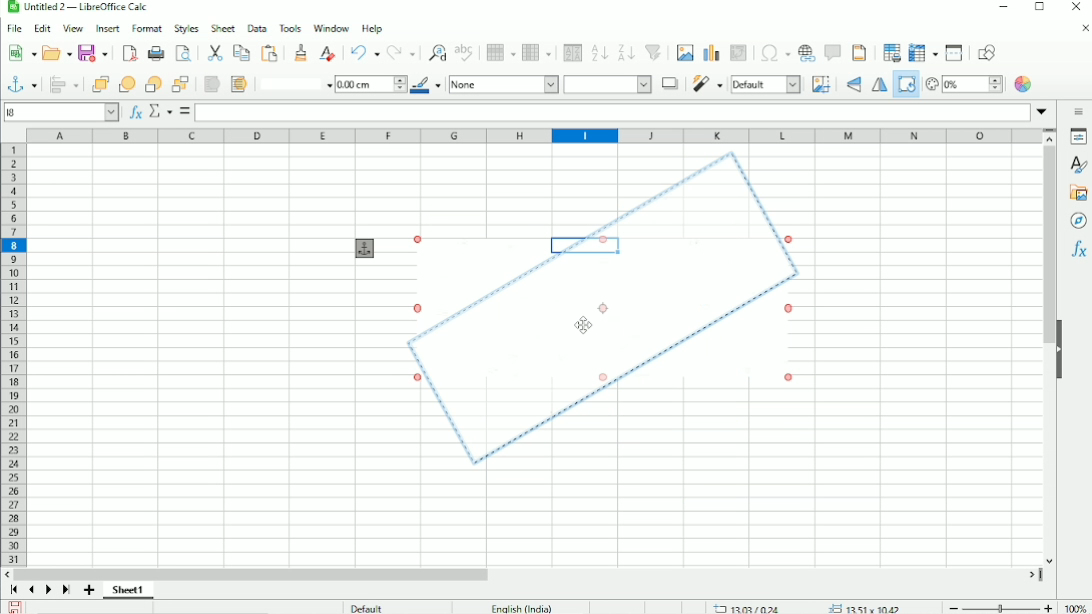 The height and width of the screenshot is (614, 1092). I want to click on Default, so click(767, 85).